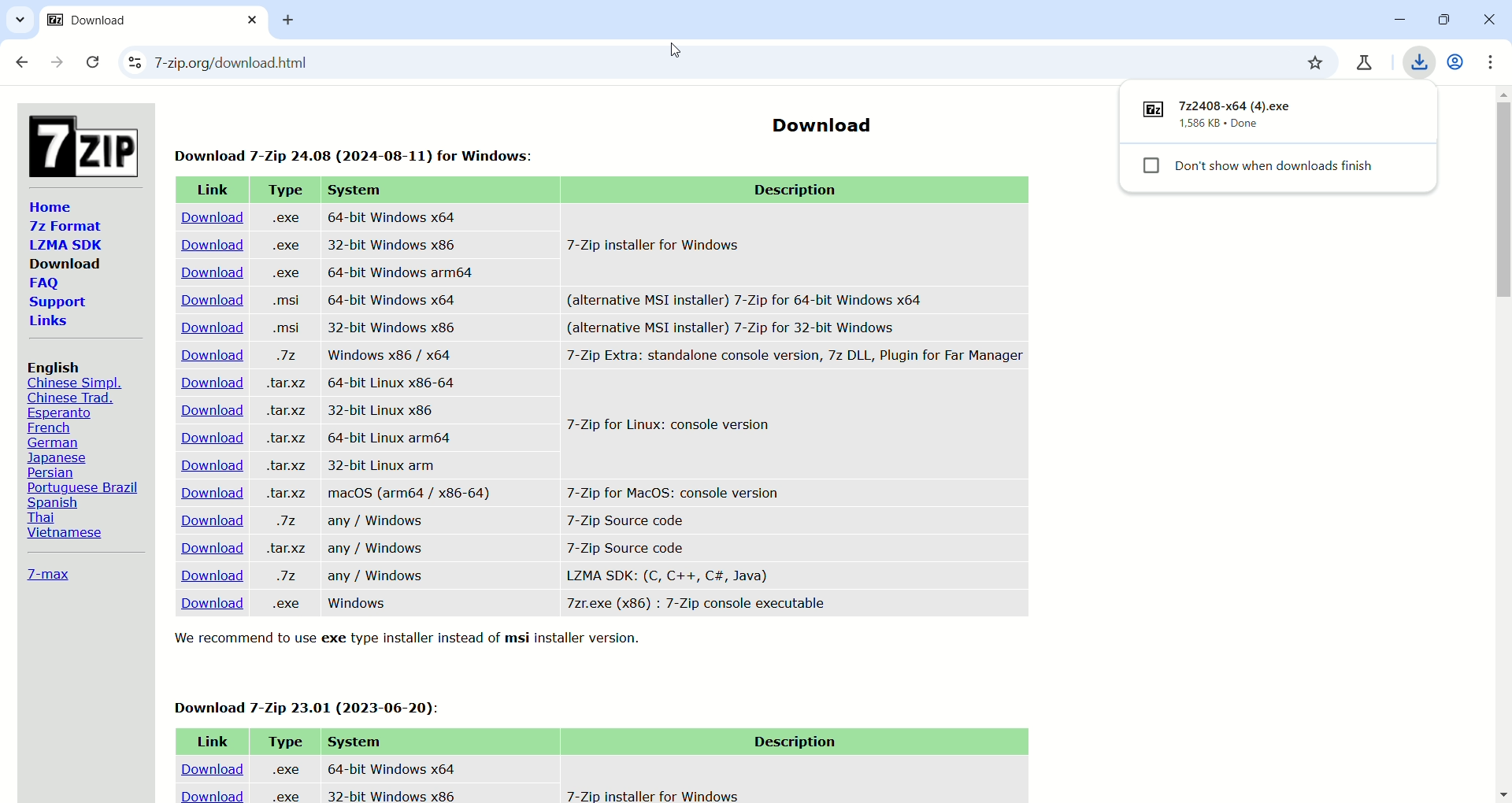 The width and height of the screenshot is (1512, 803). What do you see at coordinates (64, 244) in the screenshot?
I see `LZMA SDK` at bounding box center [64, 244].